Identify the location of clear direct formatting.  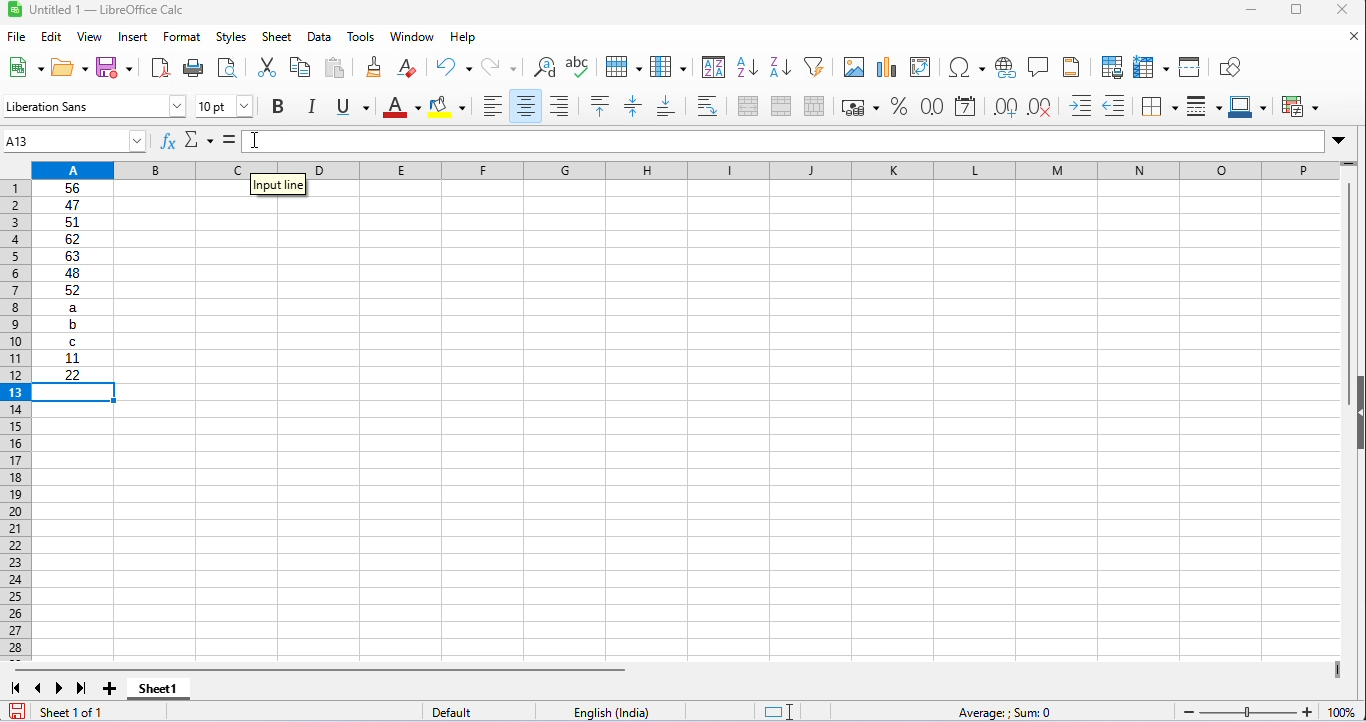
(407, 68).